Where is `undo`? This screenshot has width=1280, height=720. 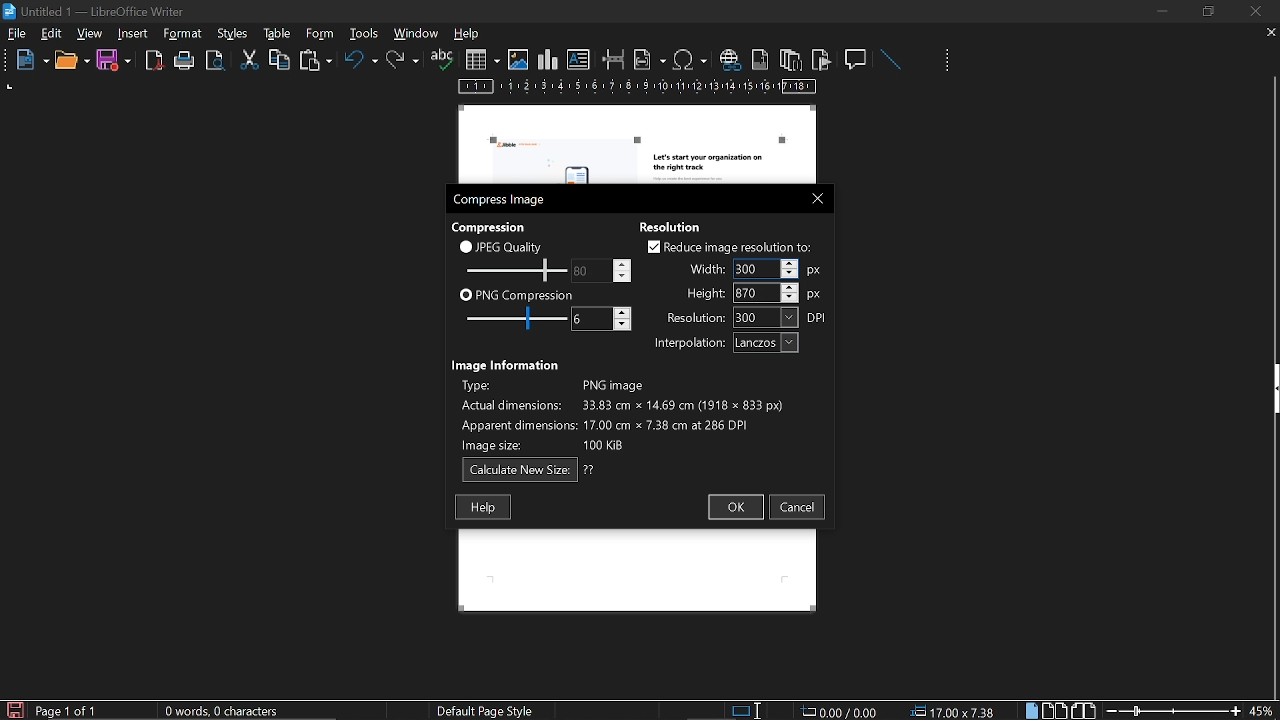 undo is located at coordinates (361, 63).